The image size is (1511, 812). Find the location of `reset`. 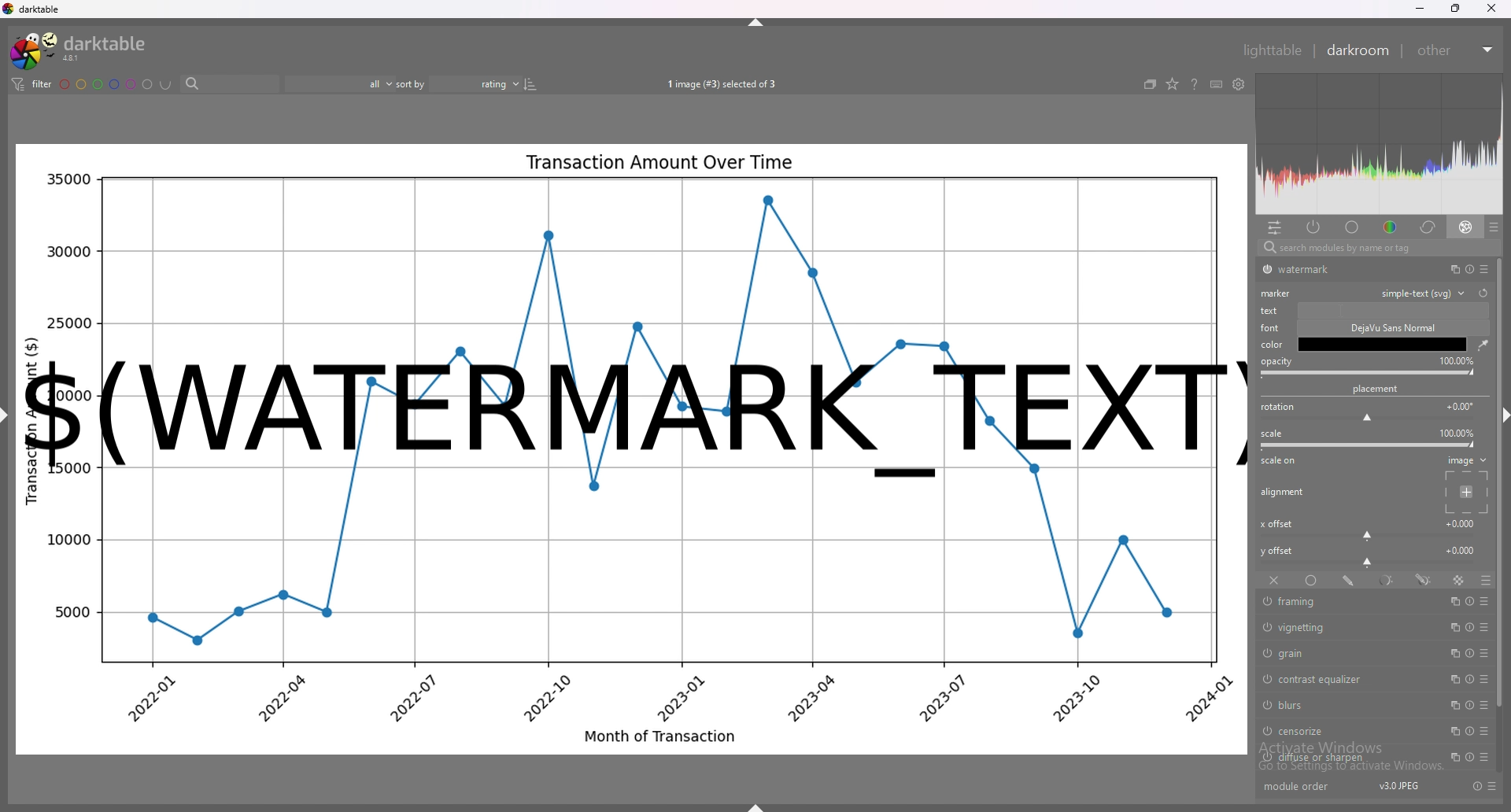

reset is located at coordinates (1467, 680).